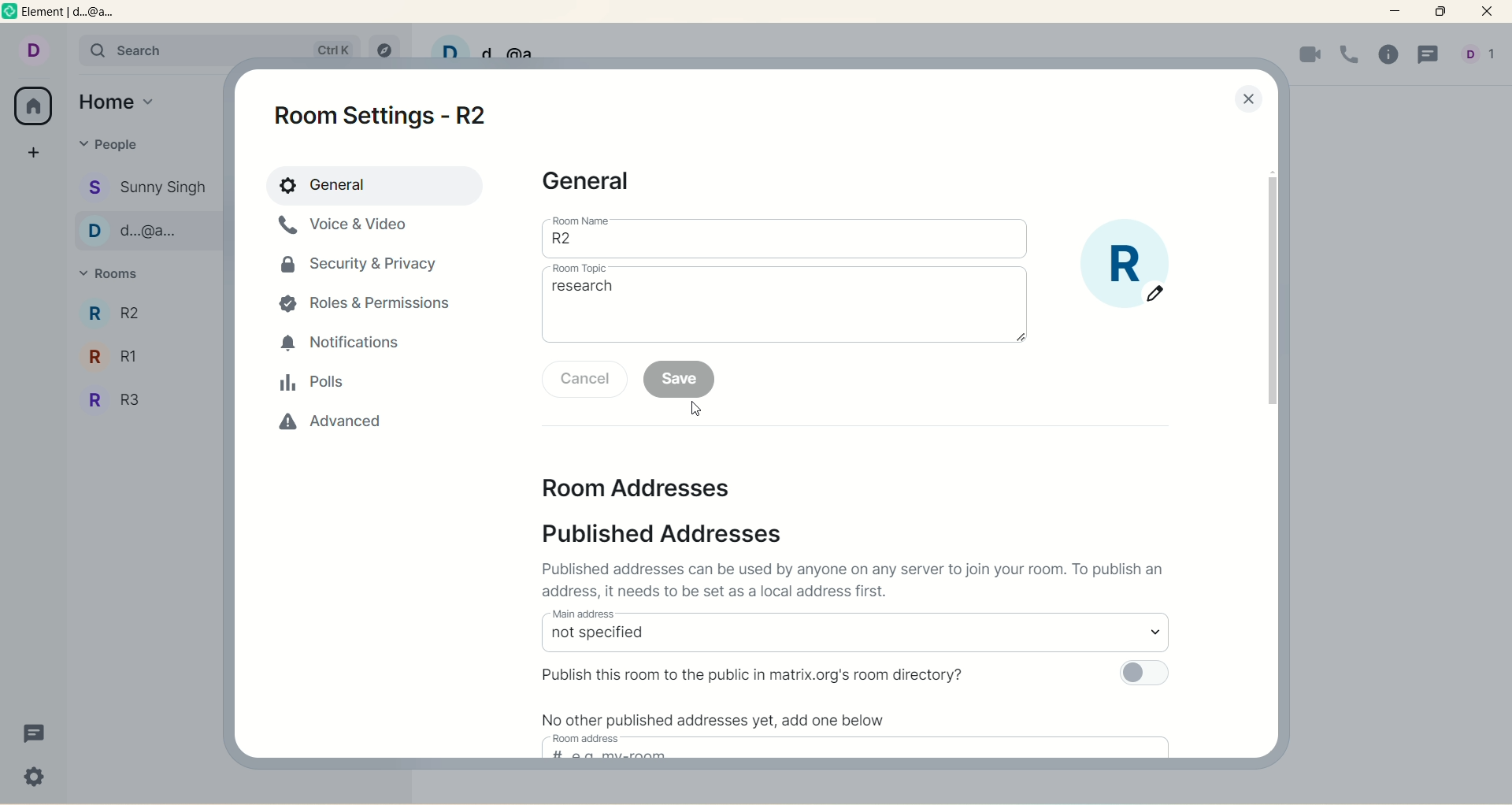 Image resolution: width=1512 pixels, height=805 pixels. Describe the element at coordinates (1308, 56) in the screenshot. I see `video call` at that location.